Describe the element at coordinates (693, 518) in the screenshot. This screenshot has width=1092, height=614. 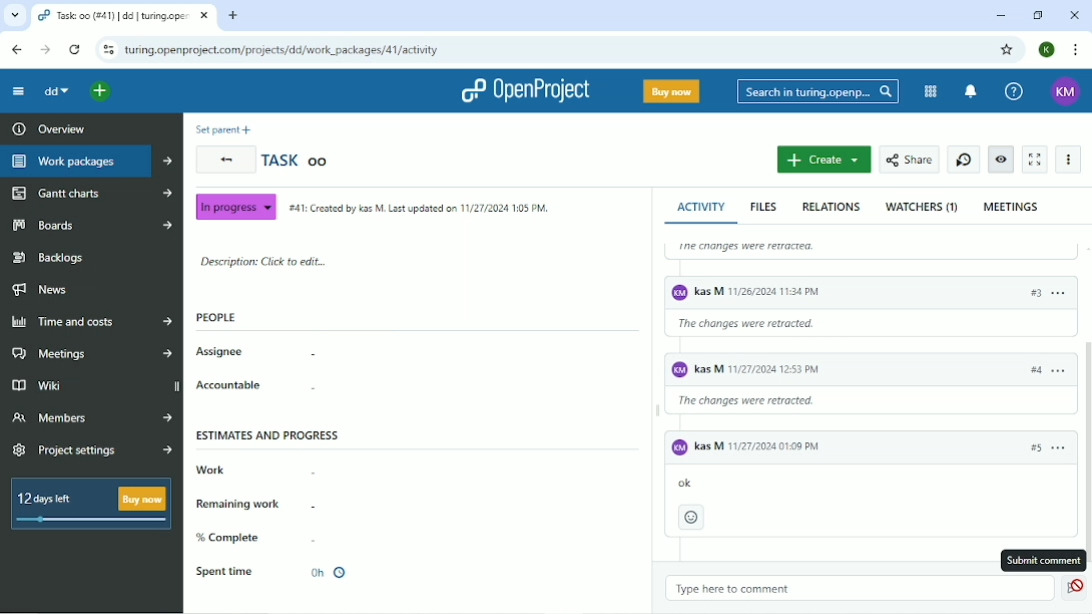
I see `emojis` at that location.